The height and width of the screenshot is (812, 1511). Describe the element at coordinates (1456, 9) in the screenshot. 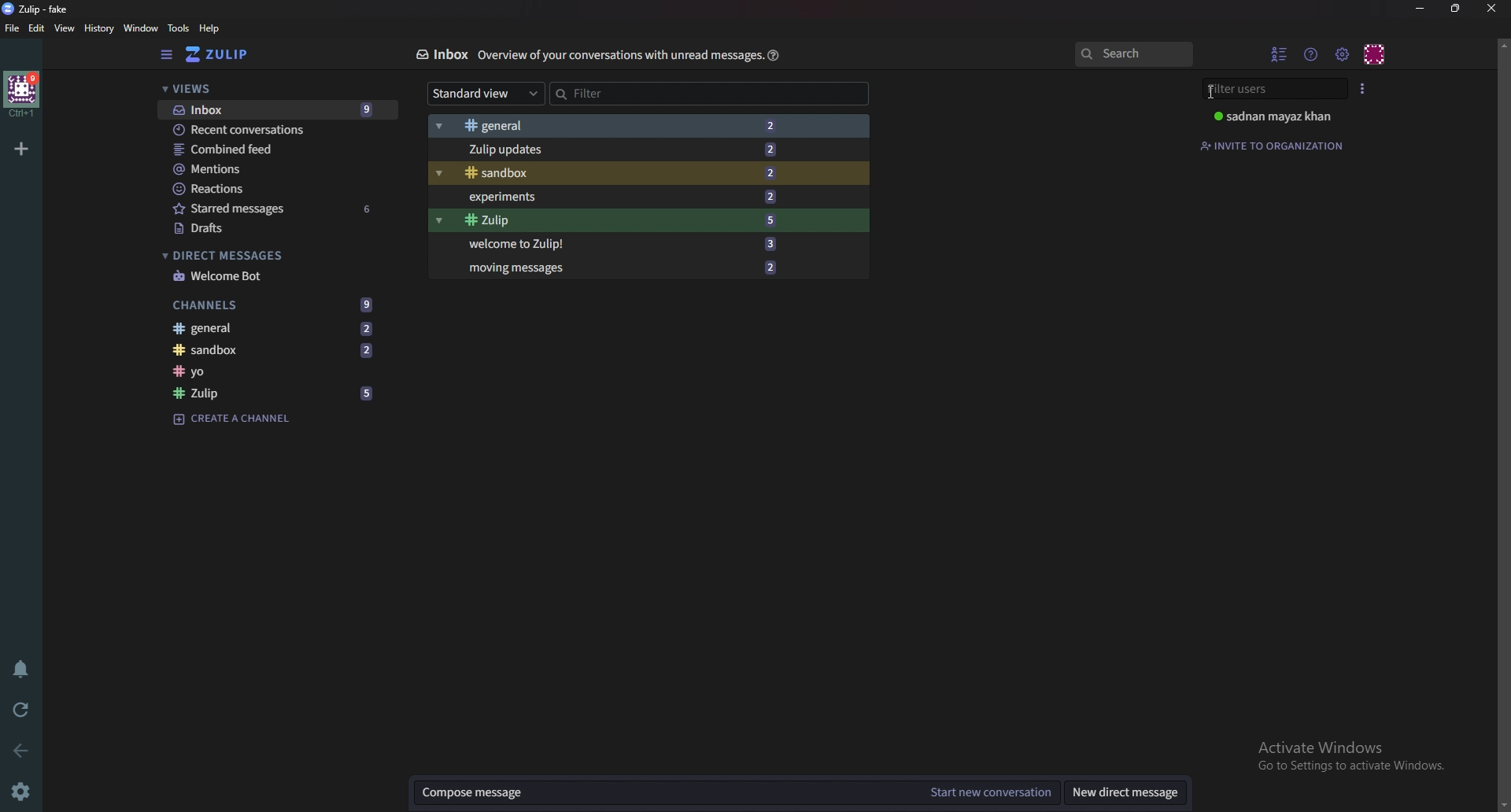

I see `Resize` at that location.